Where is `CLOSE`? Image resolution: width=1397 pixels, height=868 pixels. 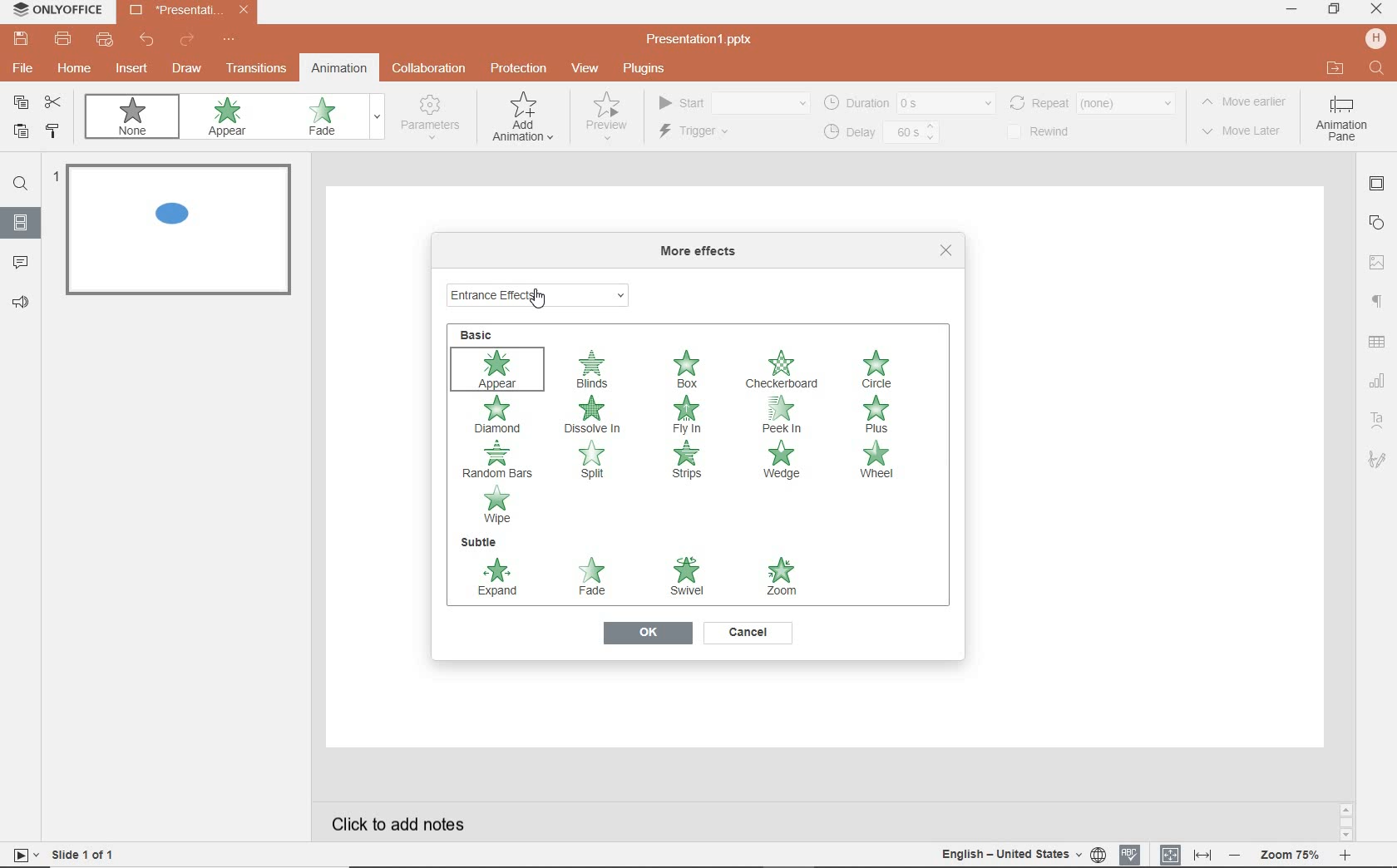 CLOSE is located at coordinates (1375, 9).